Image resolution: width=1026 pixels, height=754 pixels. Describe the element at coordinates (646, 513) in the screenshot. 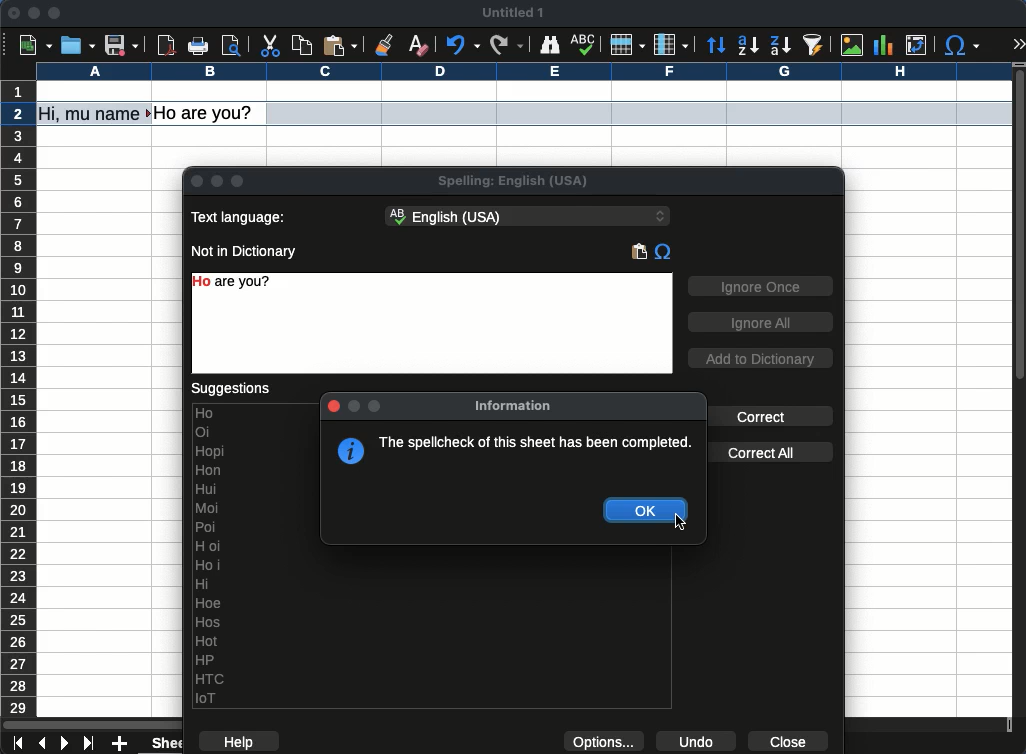

I see `okay` at that location.